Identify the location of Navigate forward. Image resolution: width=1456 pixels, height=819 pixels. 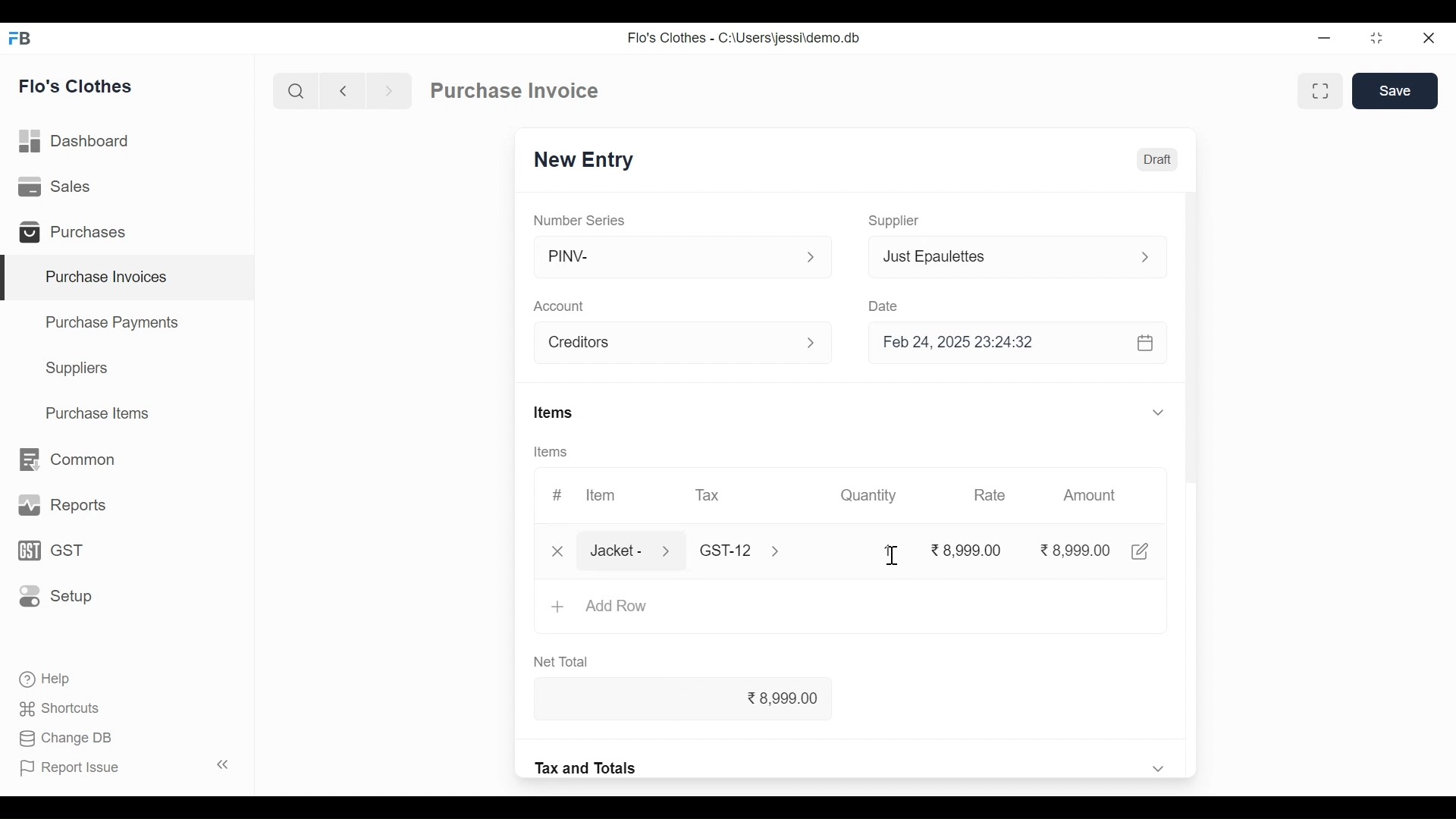
(388, 91).